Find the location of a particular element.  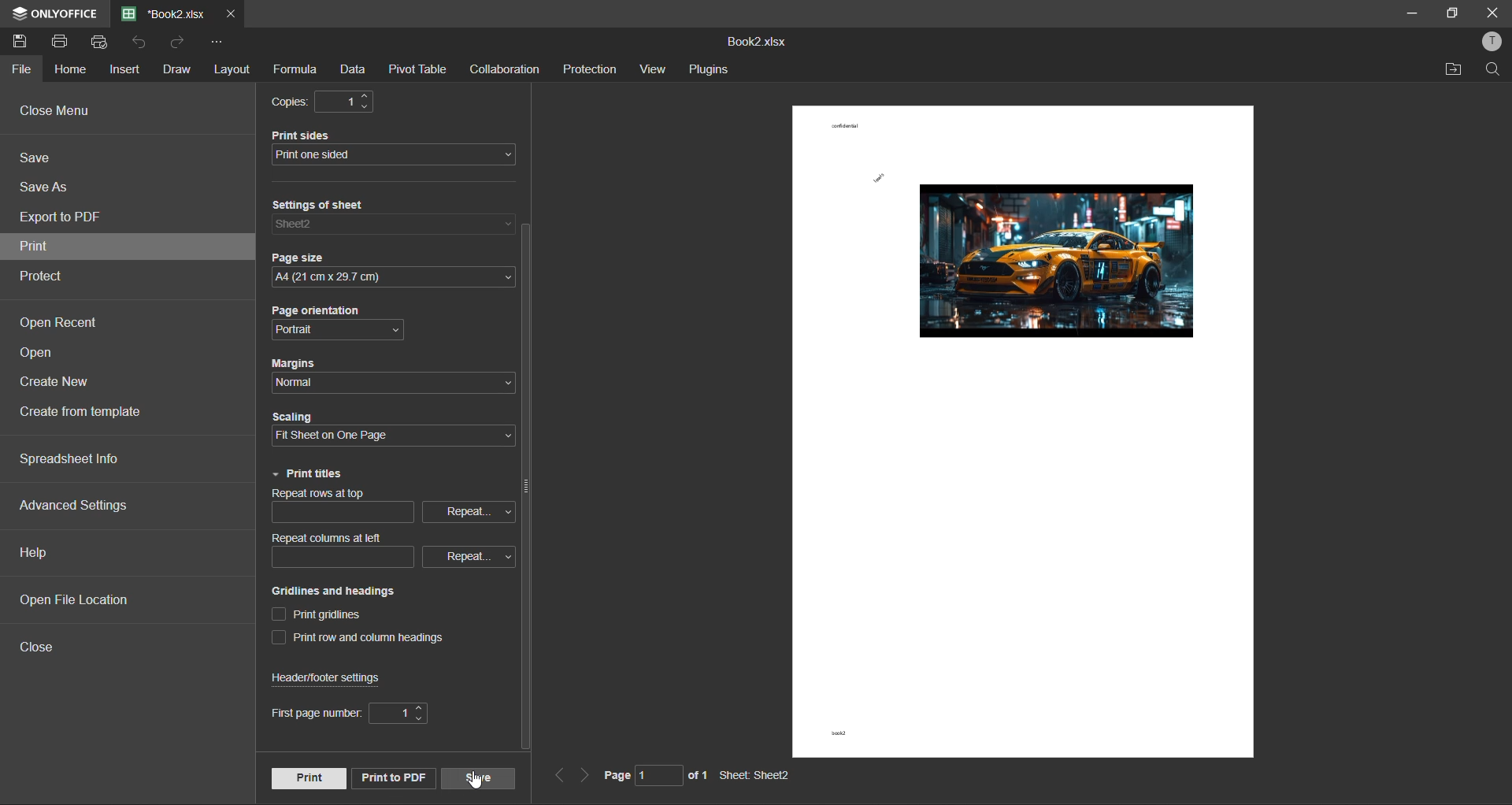

close is located at coordinates (1492, 13).